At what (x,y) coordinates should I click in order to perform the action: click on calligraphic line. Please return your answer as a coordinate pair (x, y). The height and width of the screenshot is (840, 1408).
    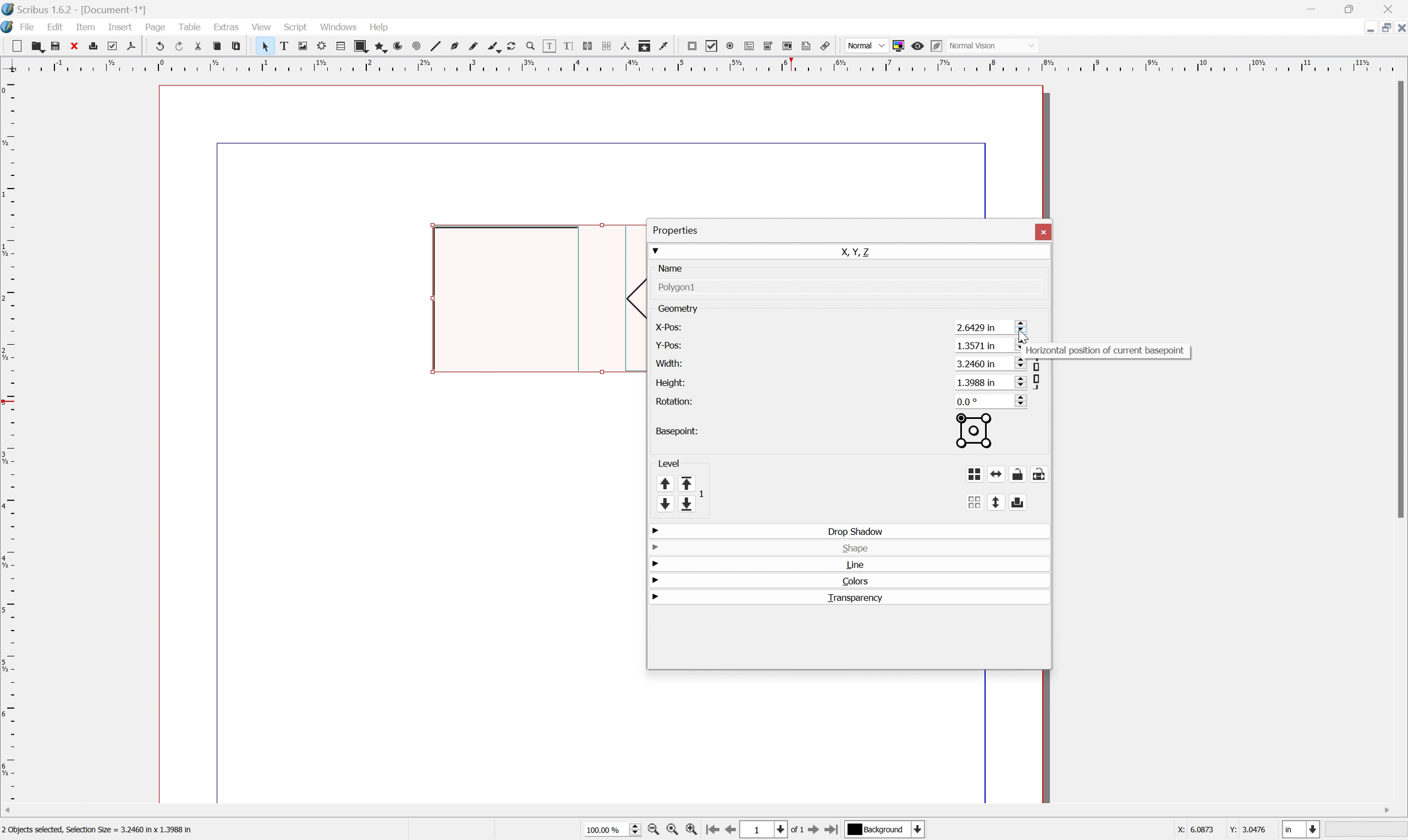
    Looking at the image, I should click on (490, 45).